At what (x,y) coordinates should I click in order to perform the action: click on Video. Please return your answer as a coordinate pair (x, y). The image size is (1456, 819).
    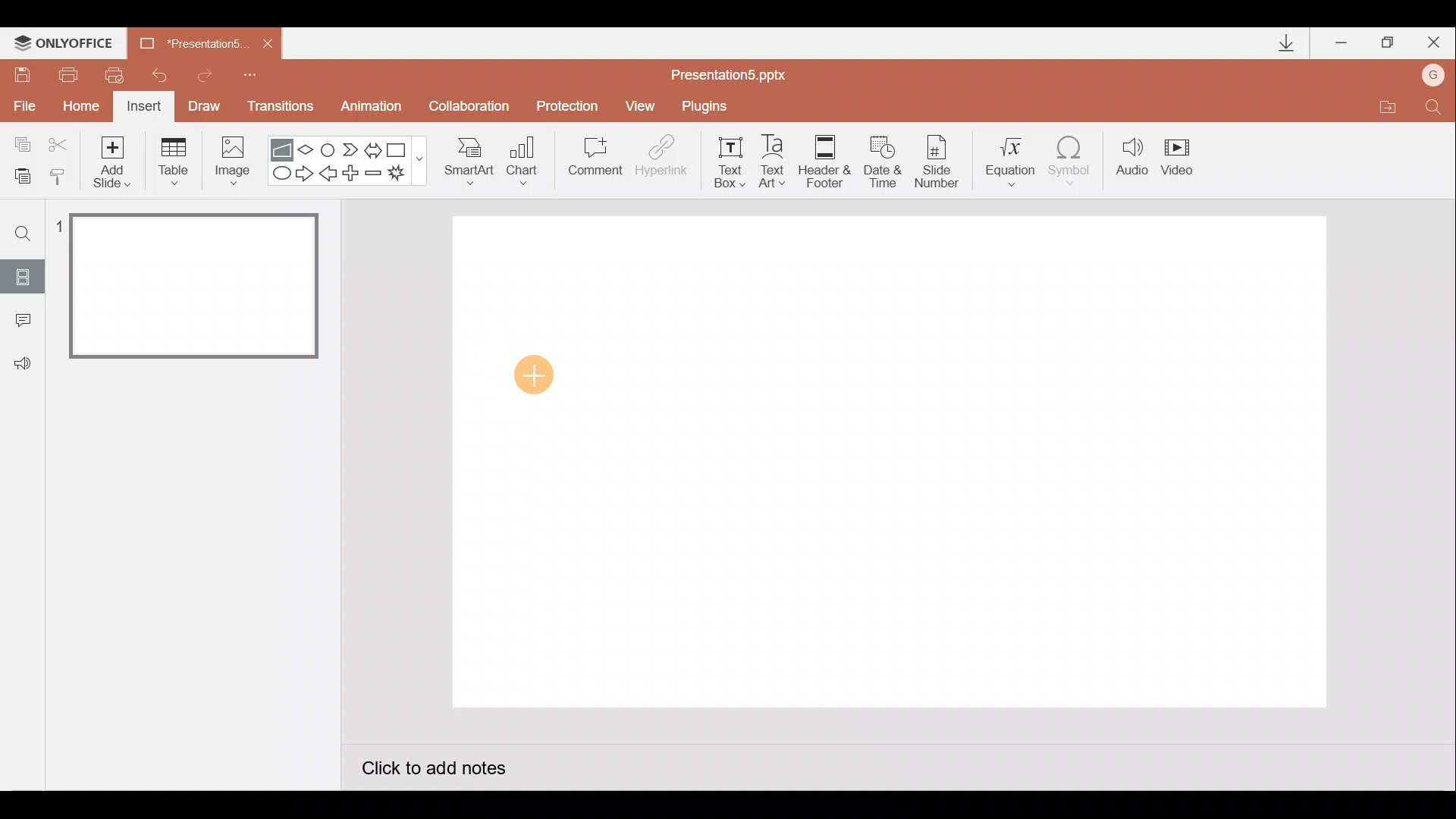
    Looking at the image, I should click on (1183, 158).